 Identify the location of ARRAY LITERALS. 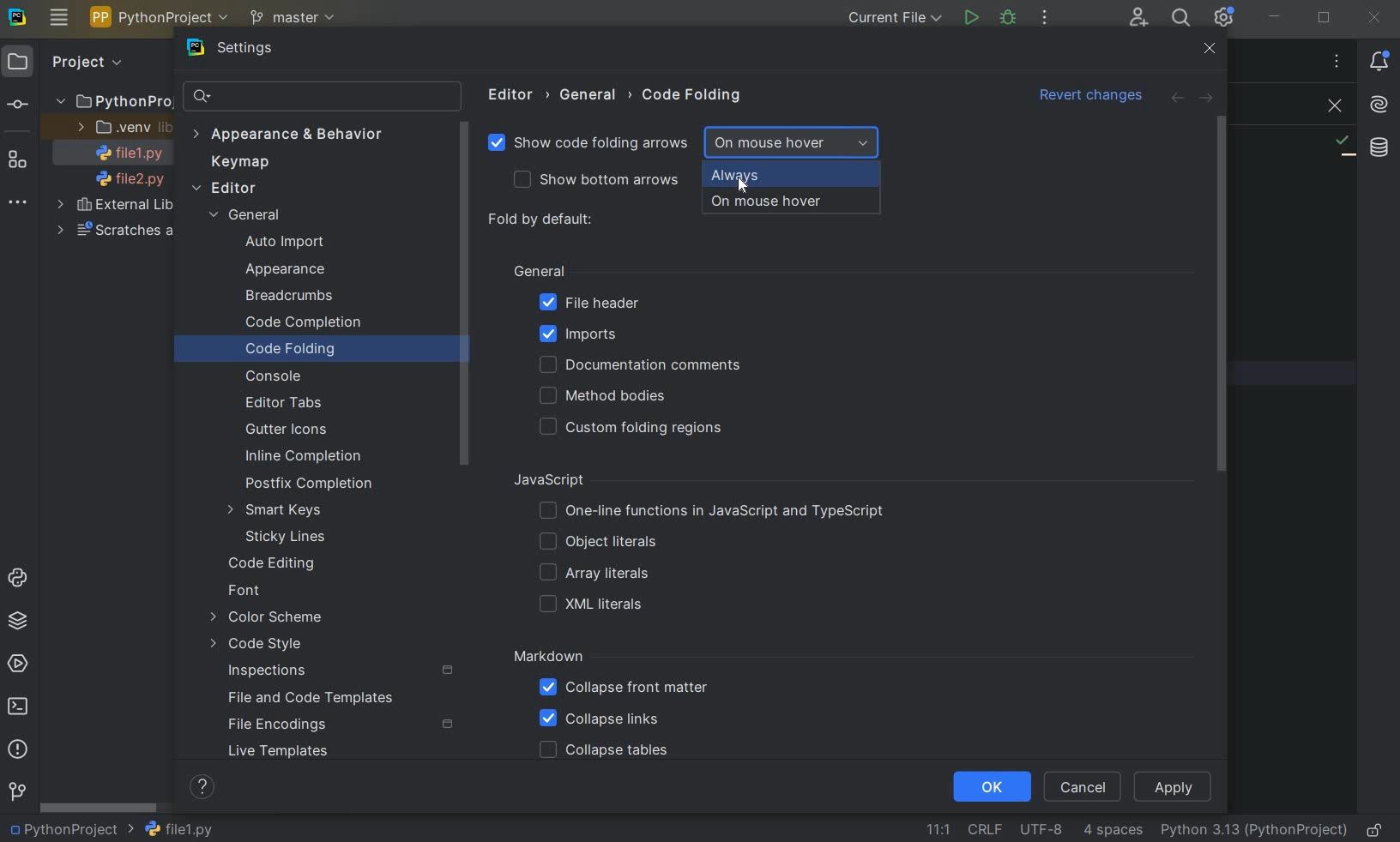
(594, 574).